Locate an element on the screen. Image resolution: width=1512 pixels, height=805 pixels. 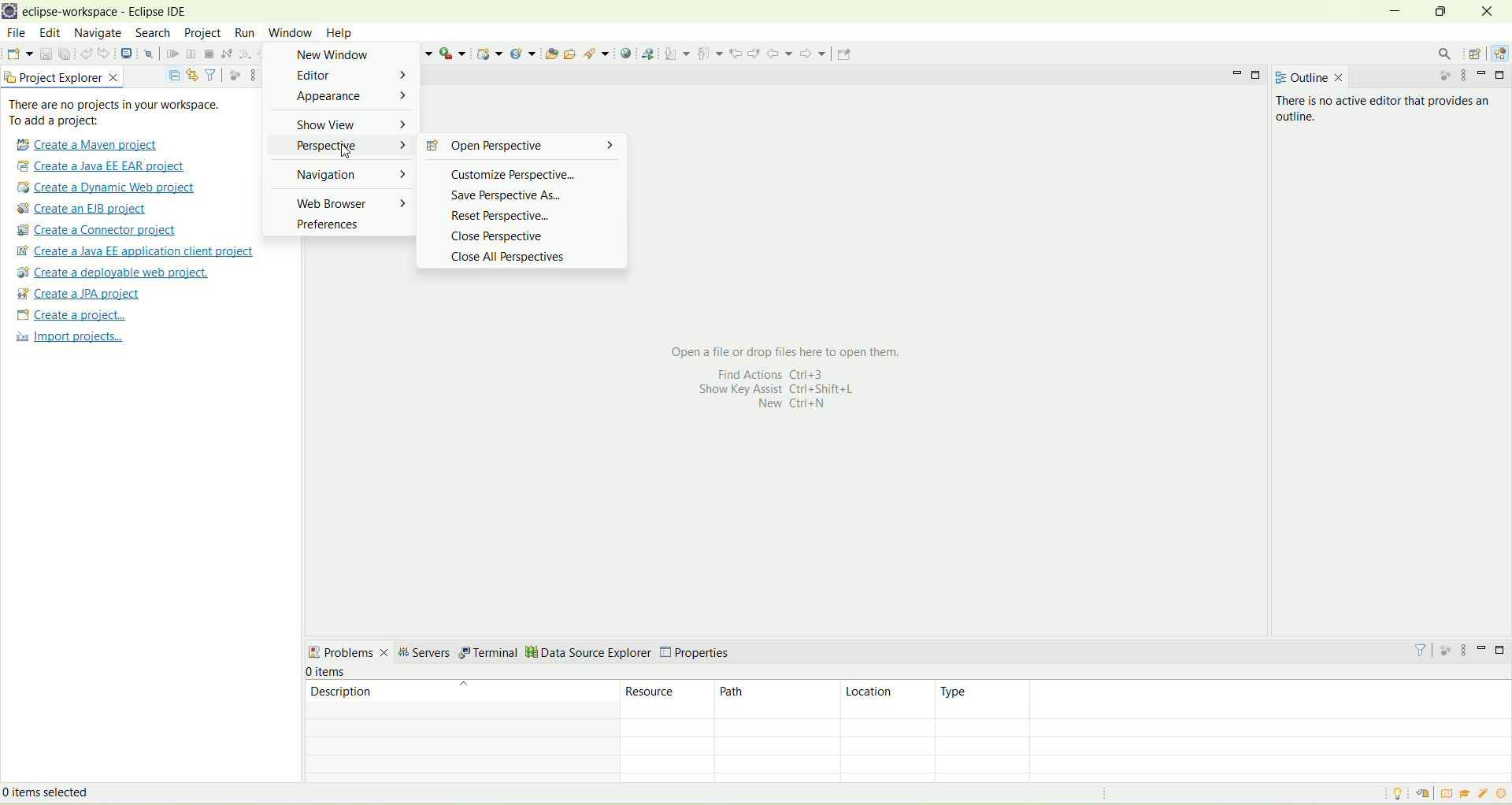
next edit location is located at coordinates (754, 52).